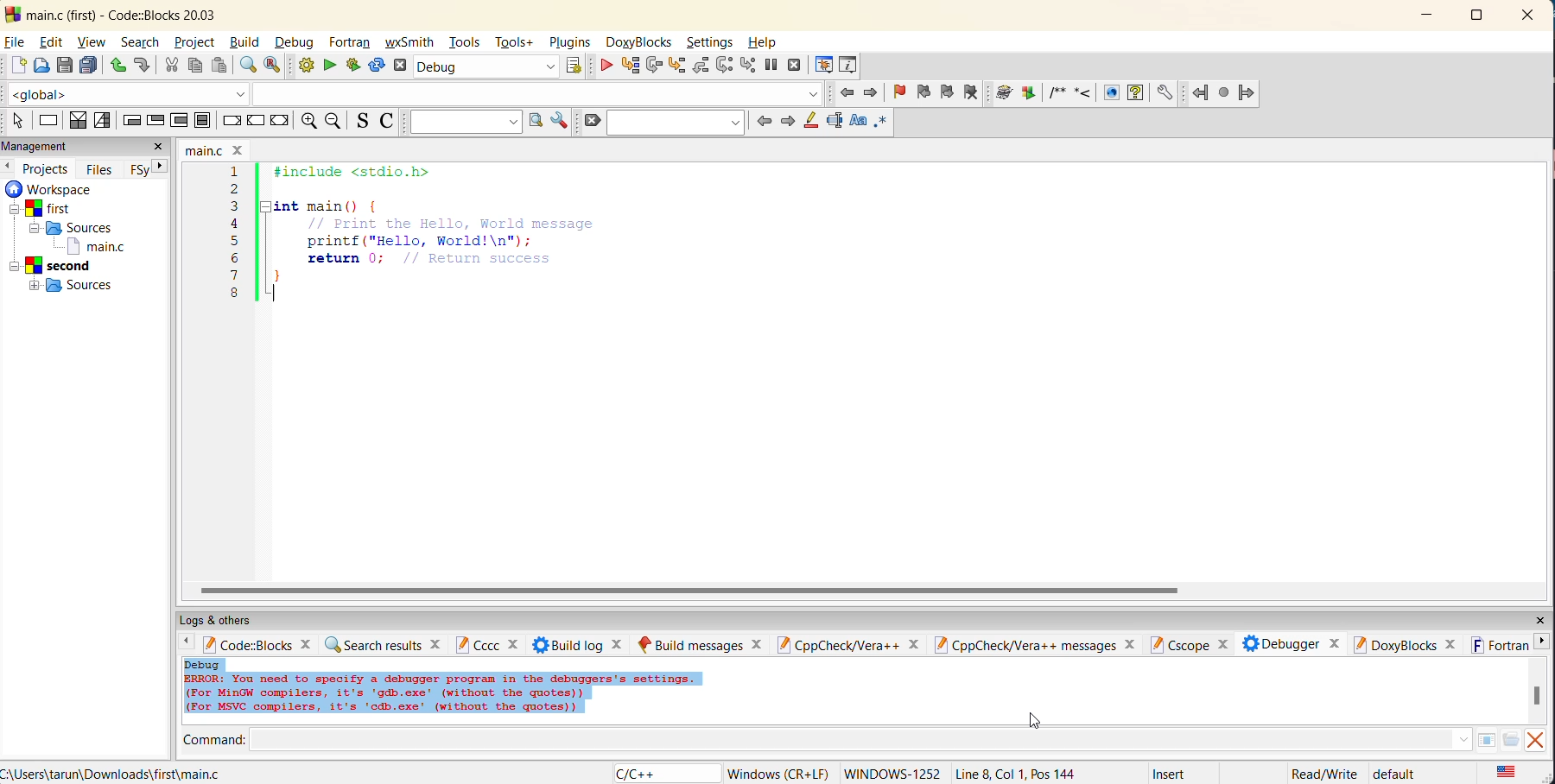 Image resolution: width=1555 pixels, height=784 pixels. I want to click on highlight, so click(814, 122).